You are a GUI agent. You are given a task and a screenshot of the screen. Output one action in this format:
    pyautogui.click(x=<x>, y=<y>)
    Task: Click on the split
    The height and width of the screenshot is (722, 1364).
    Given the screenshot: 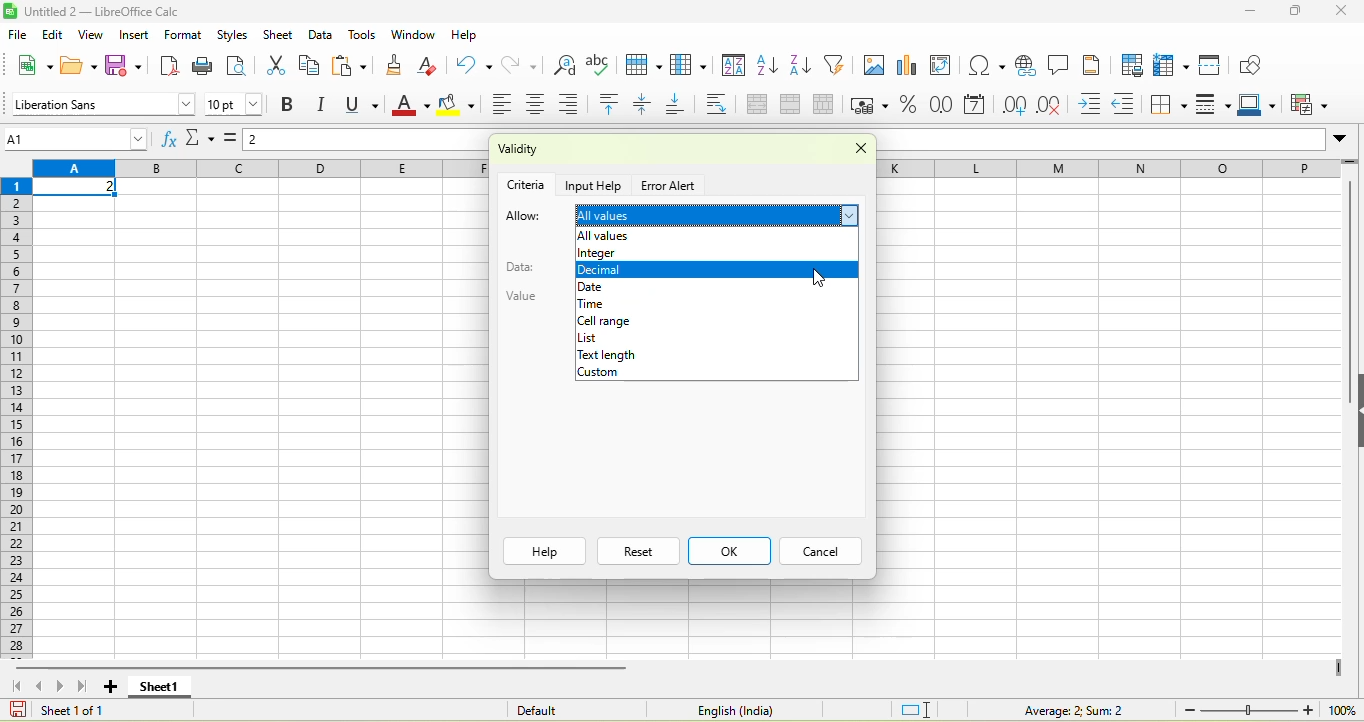 What is the action you would take?
    pyautogui.click(x=828, y=105)
    